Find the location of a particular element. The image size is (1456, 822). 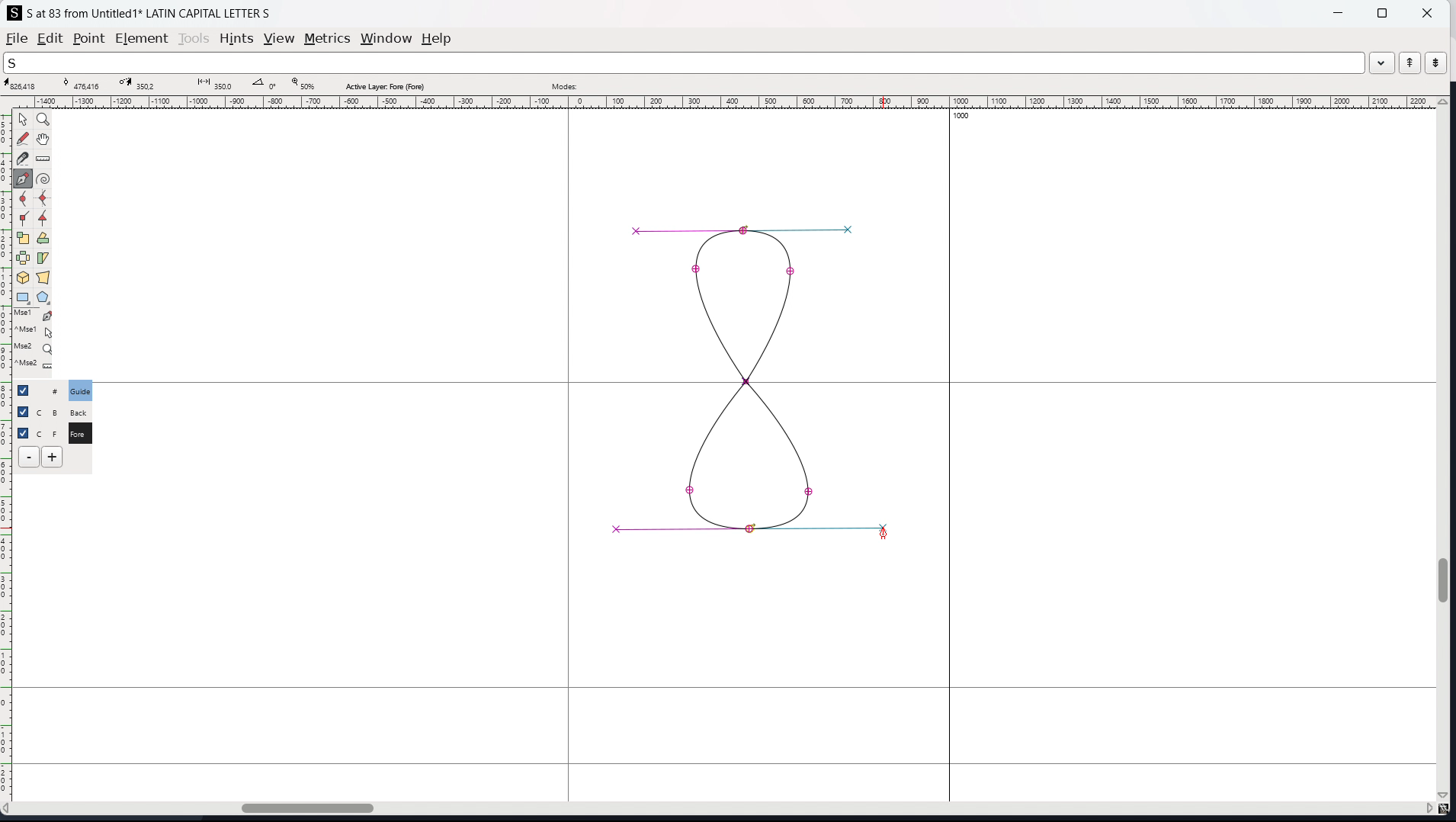

horizontal ruler is located at coordinates (720, 102).